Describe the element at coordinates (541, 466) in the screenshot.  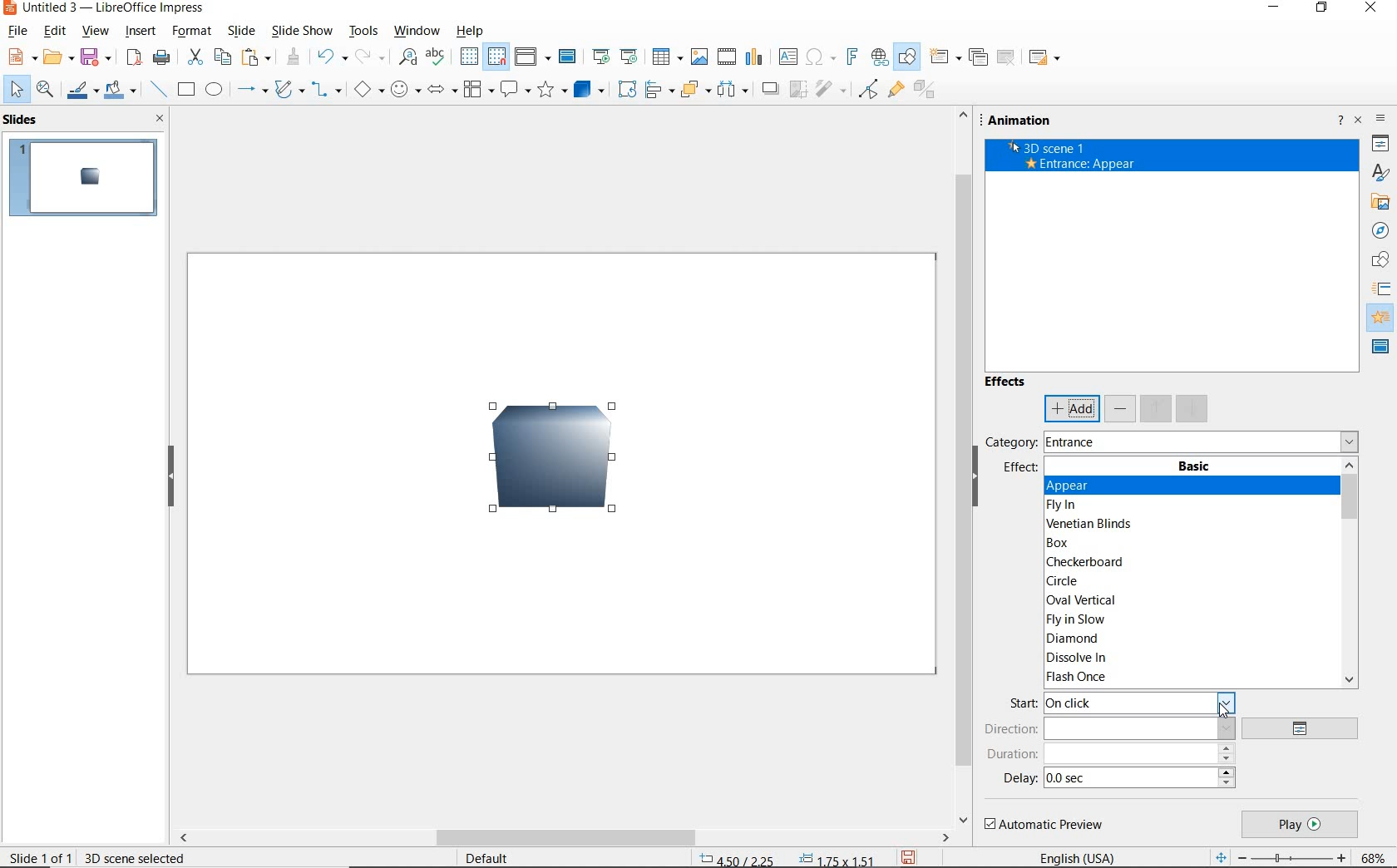
I see `3D Image` at that location.